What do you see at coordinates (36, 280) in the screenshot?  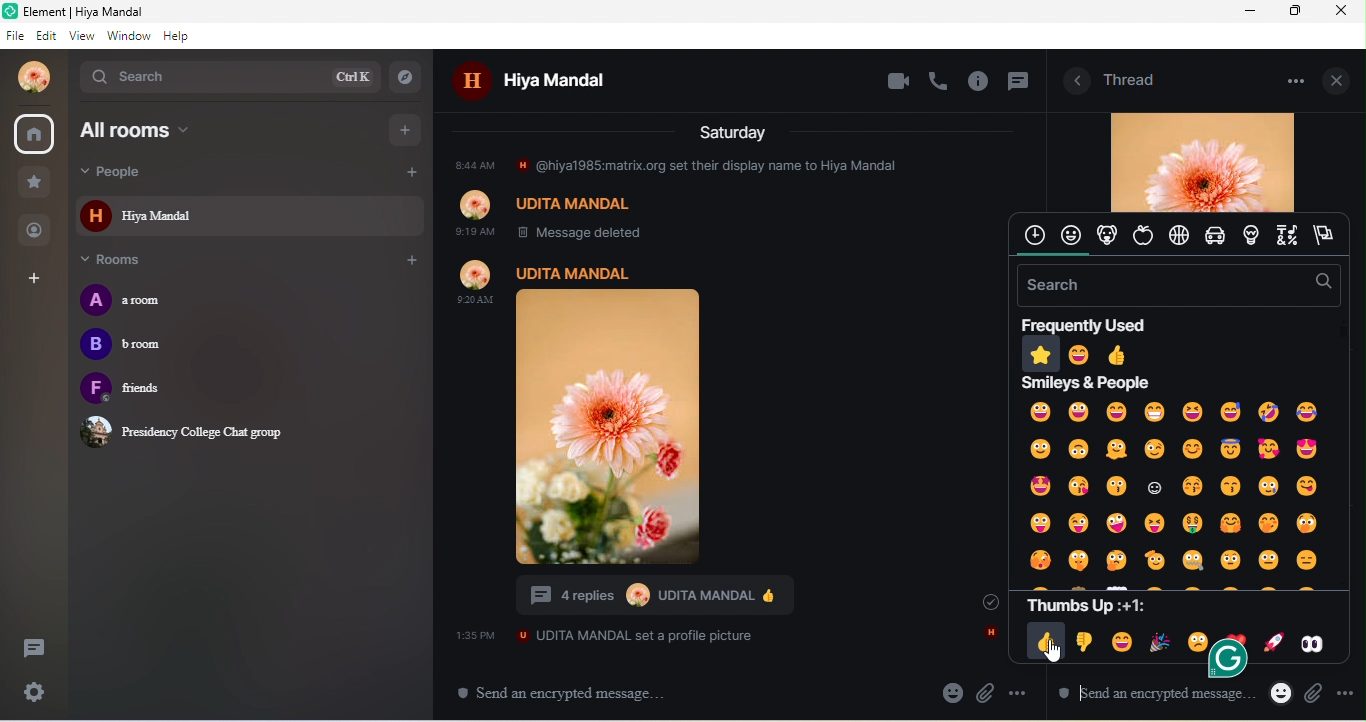 I see `create a space` at bounding box center [36, 280].